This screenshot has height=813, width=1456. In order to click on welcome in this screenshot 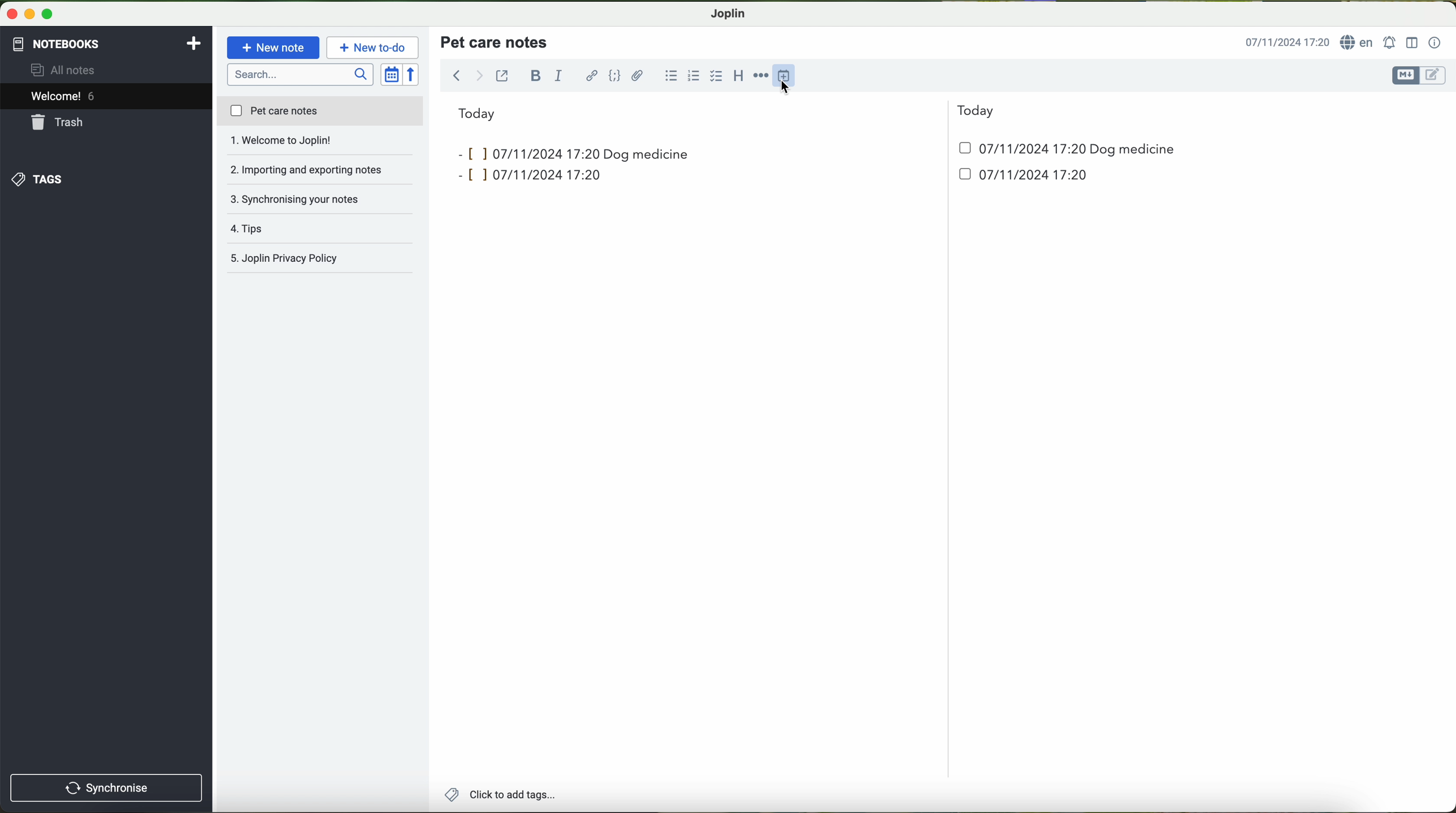, I will do `click(106, 98)`.